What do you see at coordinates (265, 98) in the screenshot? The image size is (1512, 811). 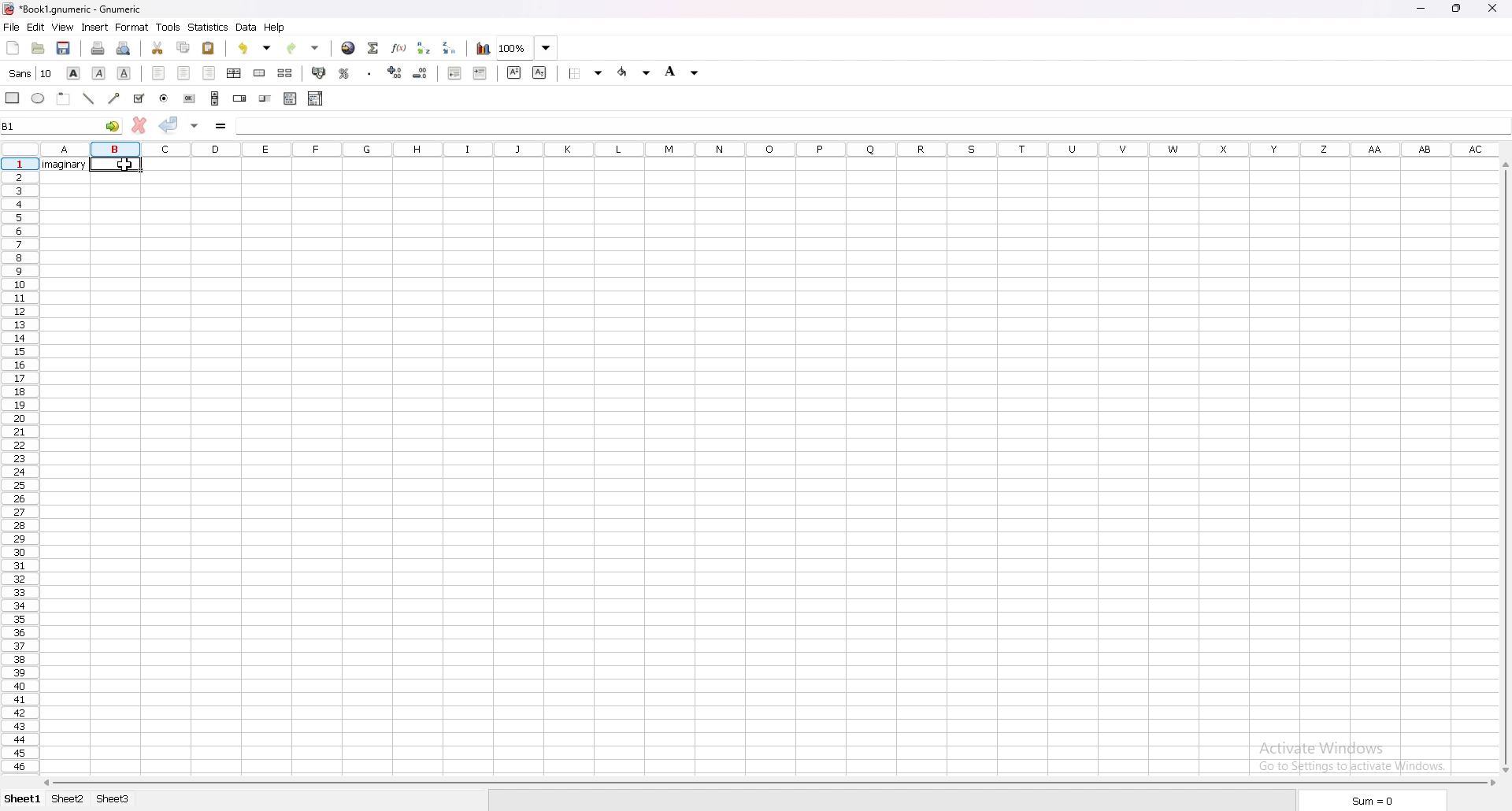 I see `slider` at bounding box center [265, 98].